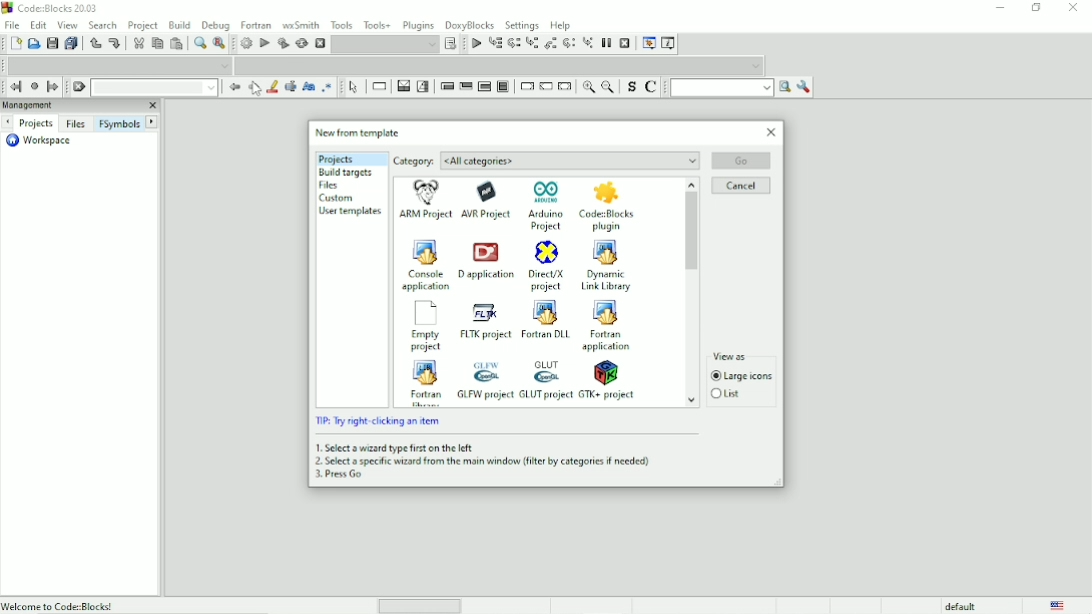 The image size is (1092, 614). I want to click on Close, so click(771, 132).